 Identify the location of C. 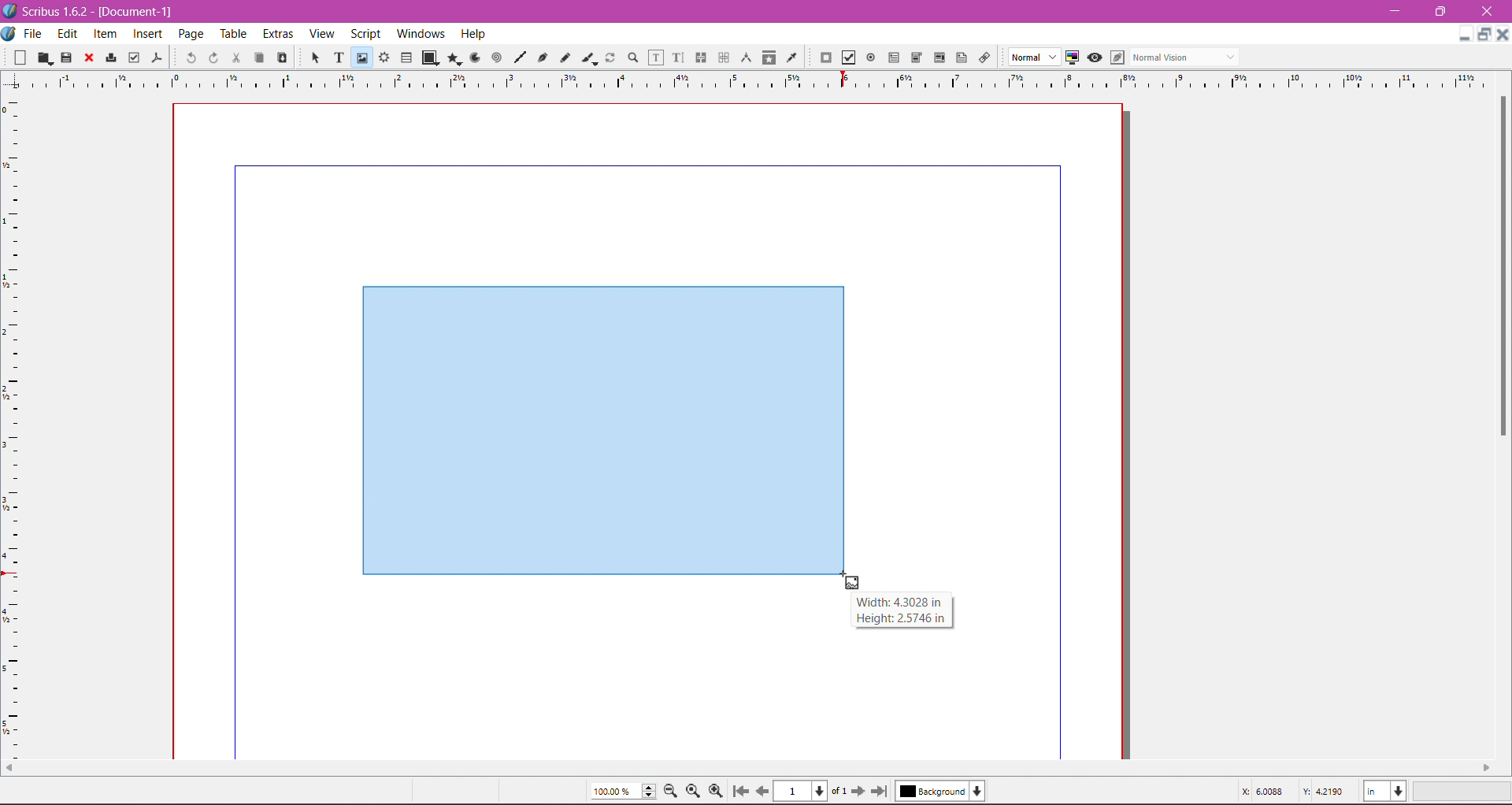
(1486, 12).